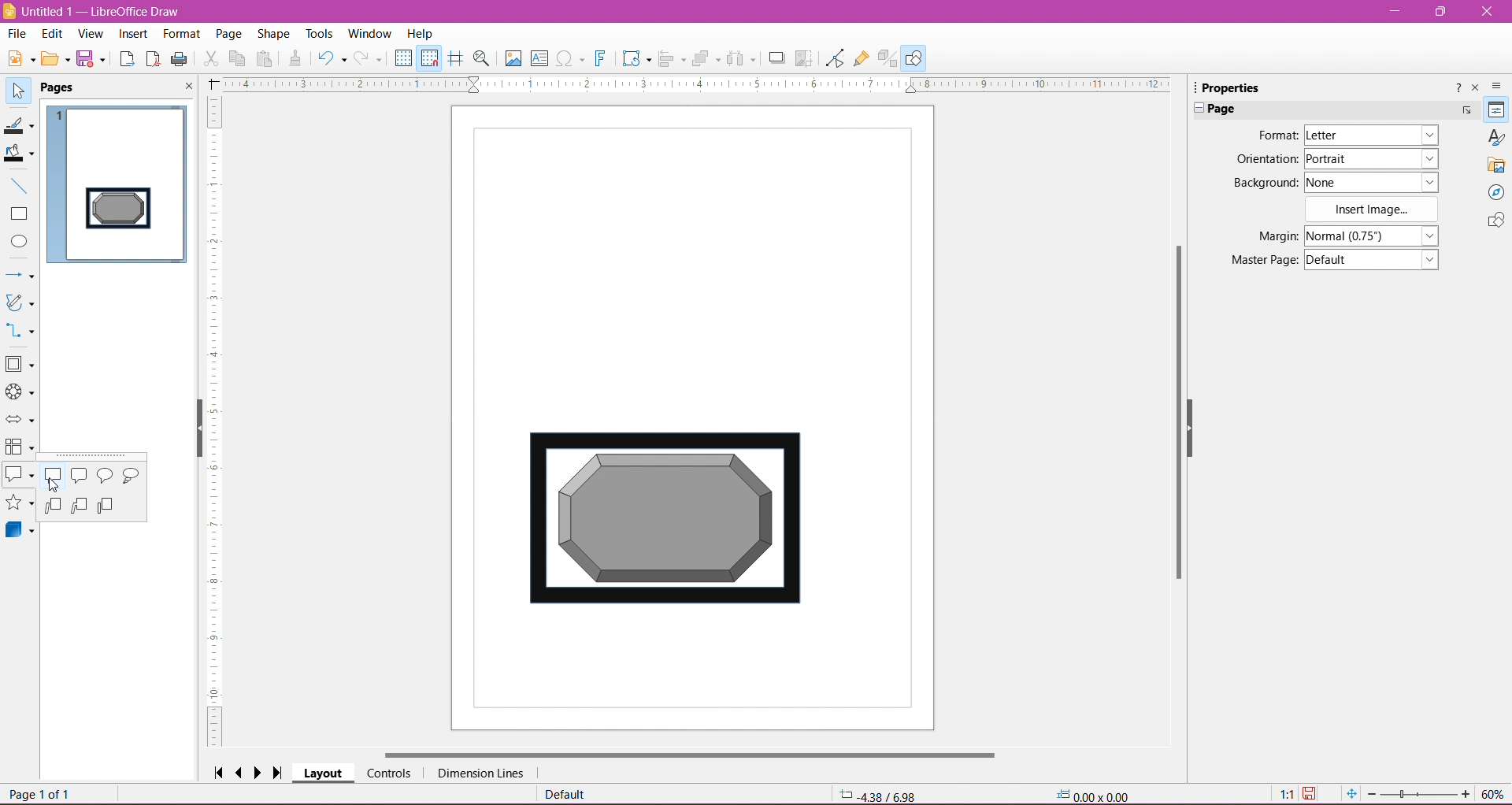 The image size is (1512, 805). I want to click on Pages, so click(61, 88).